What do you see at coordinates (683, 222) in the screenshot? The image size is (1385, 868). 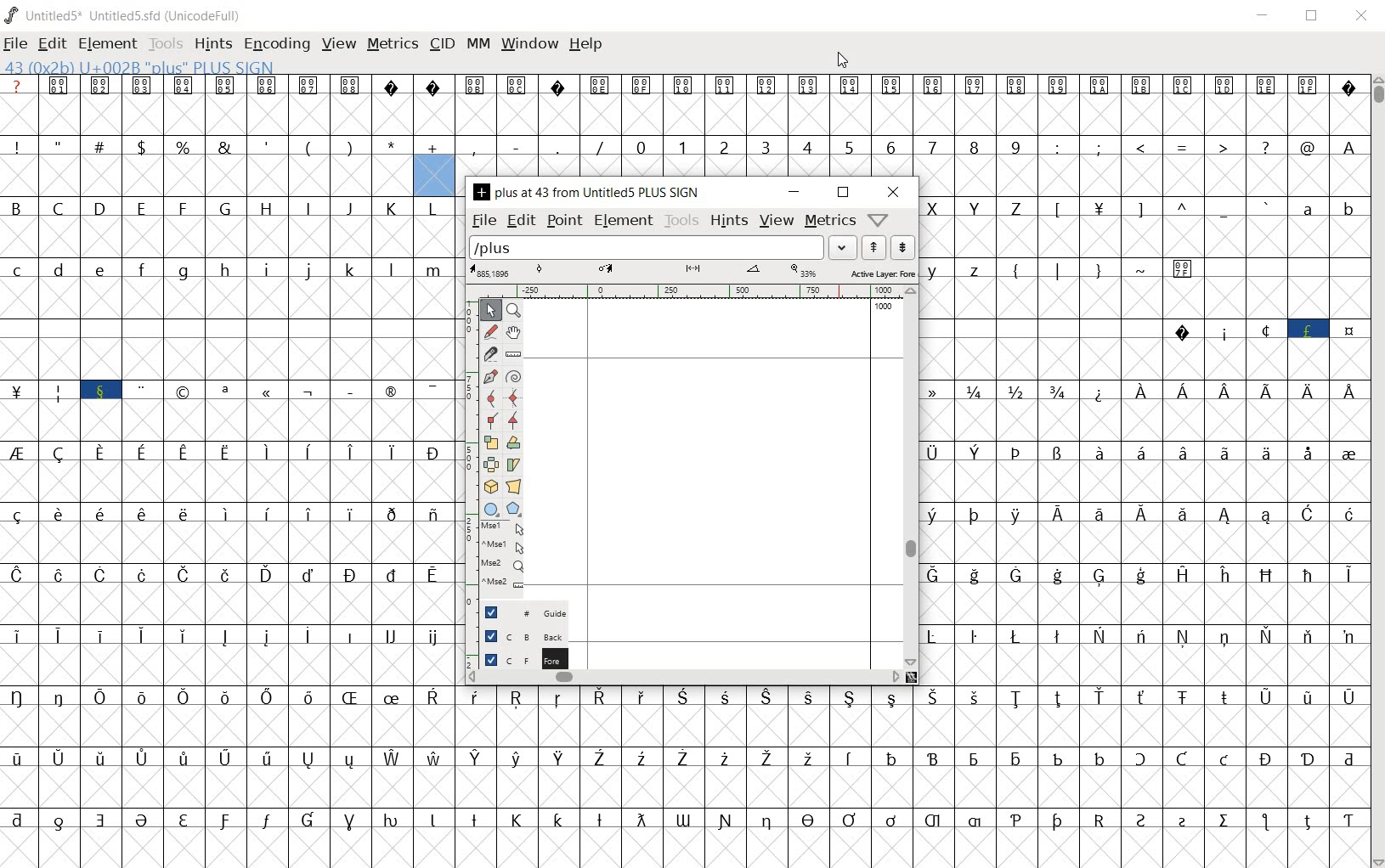 I see `tools` at bounding box center [683, 222].